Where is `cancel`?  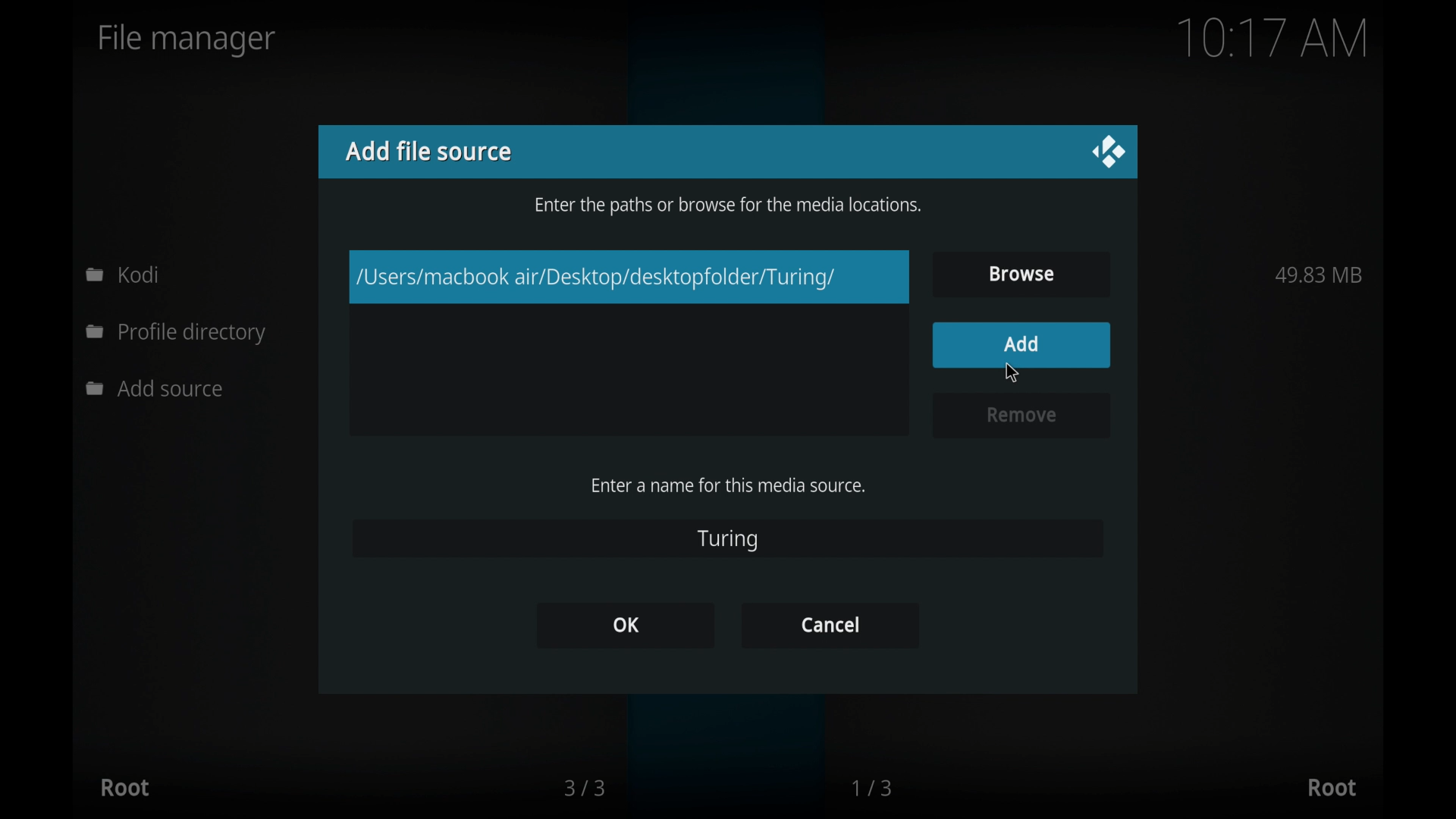 cancel is located at coordinates (828, 624).